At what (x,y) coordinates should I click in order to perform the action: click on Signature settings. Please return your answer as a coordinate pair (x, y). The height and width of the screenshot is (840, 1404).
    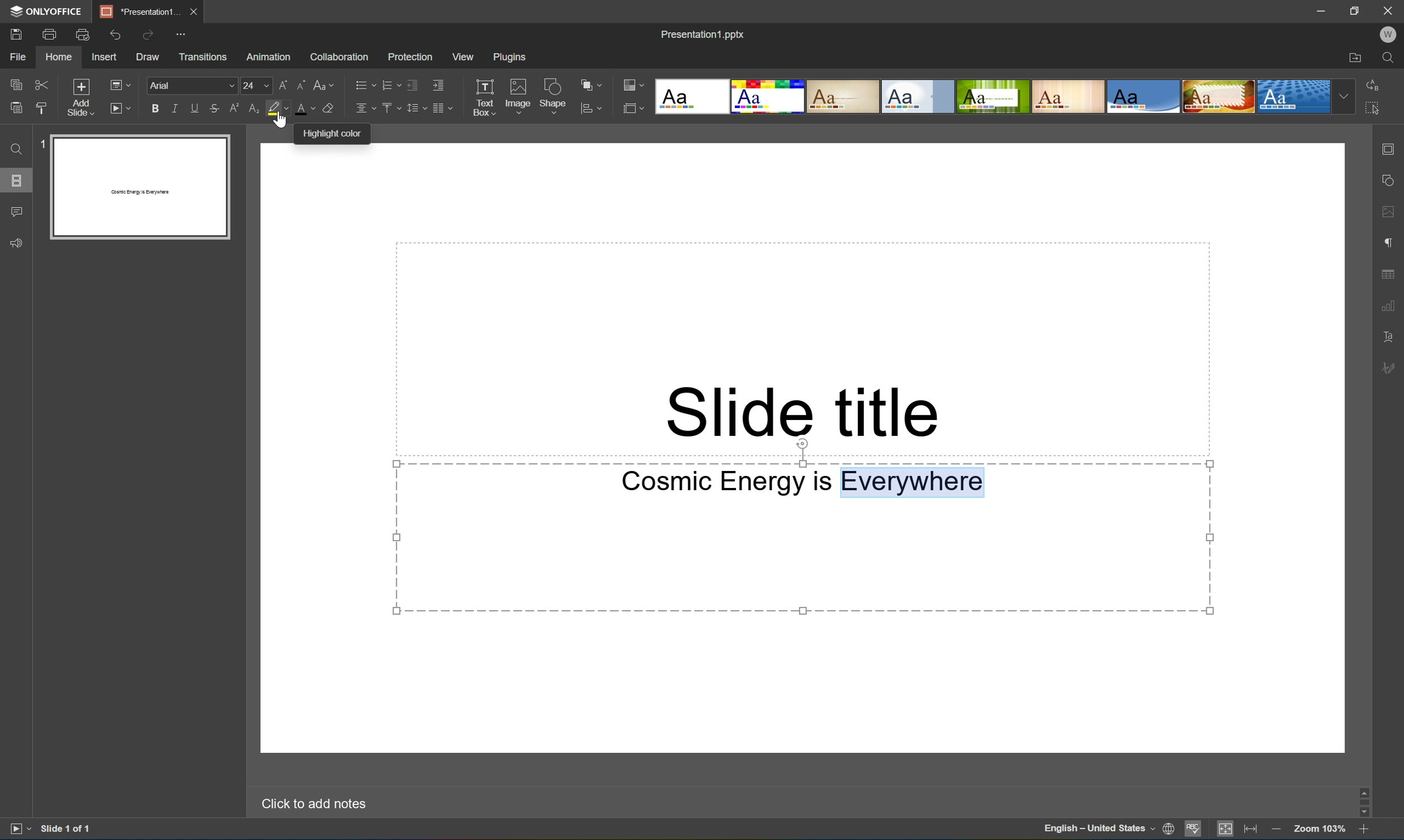
    Looking at the image, I should click on (1388, 369).